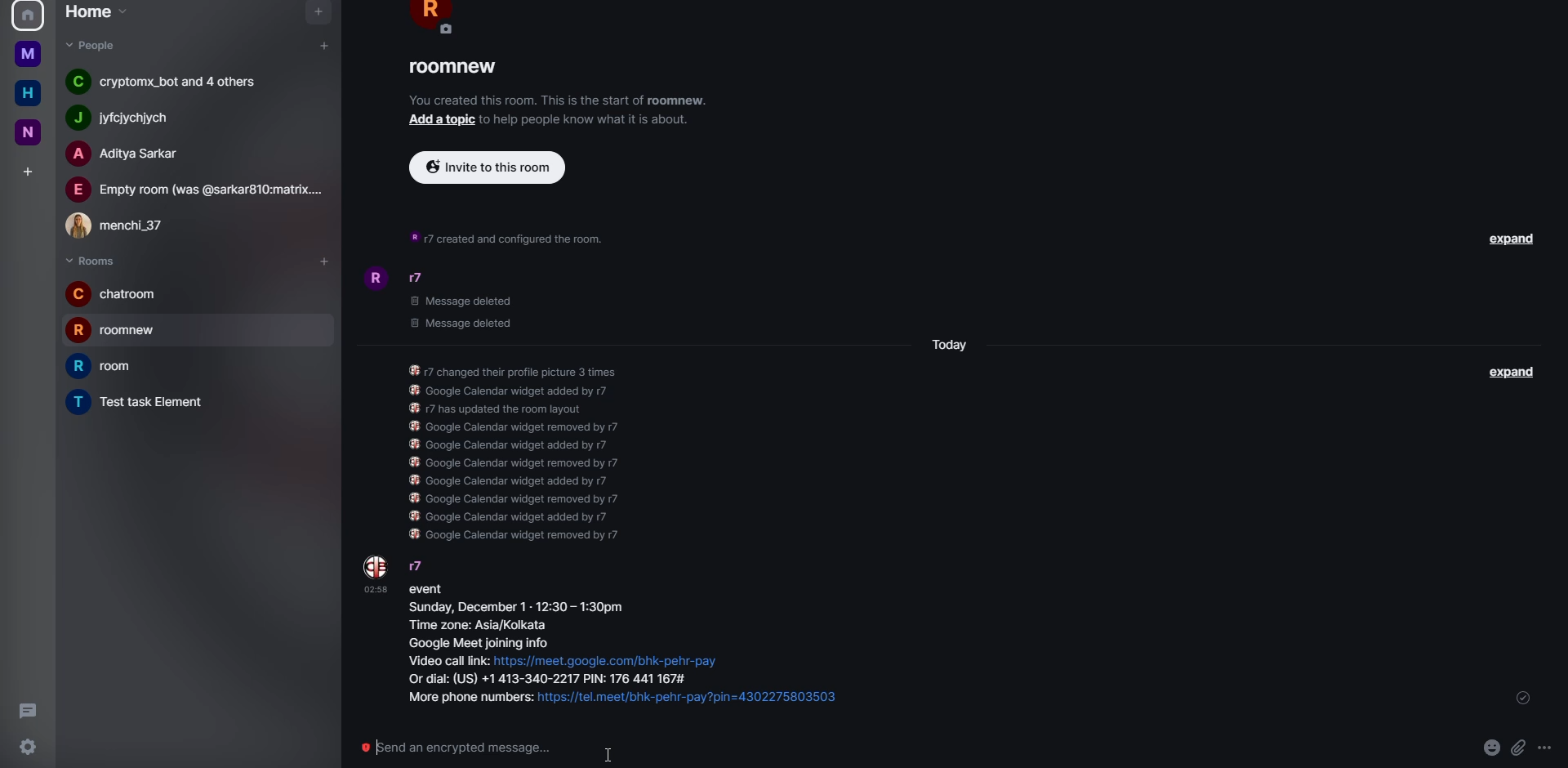 The height and width of the screenshot is (768, 1568). Describe the element at coordinates (144, 401) in the screenshot. I see `room` at that location.